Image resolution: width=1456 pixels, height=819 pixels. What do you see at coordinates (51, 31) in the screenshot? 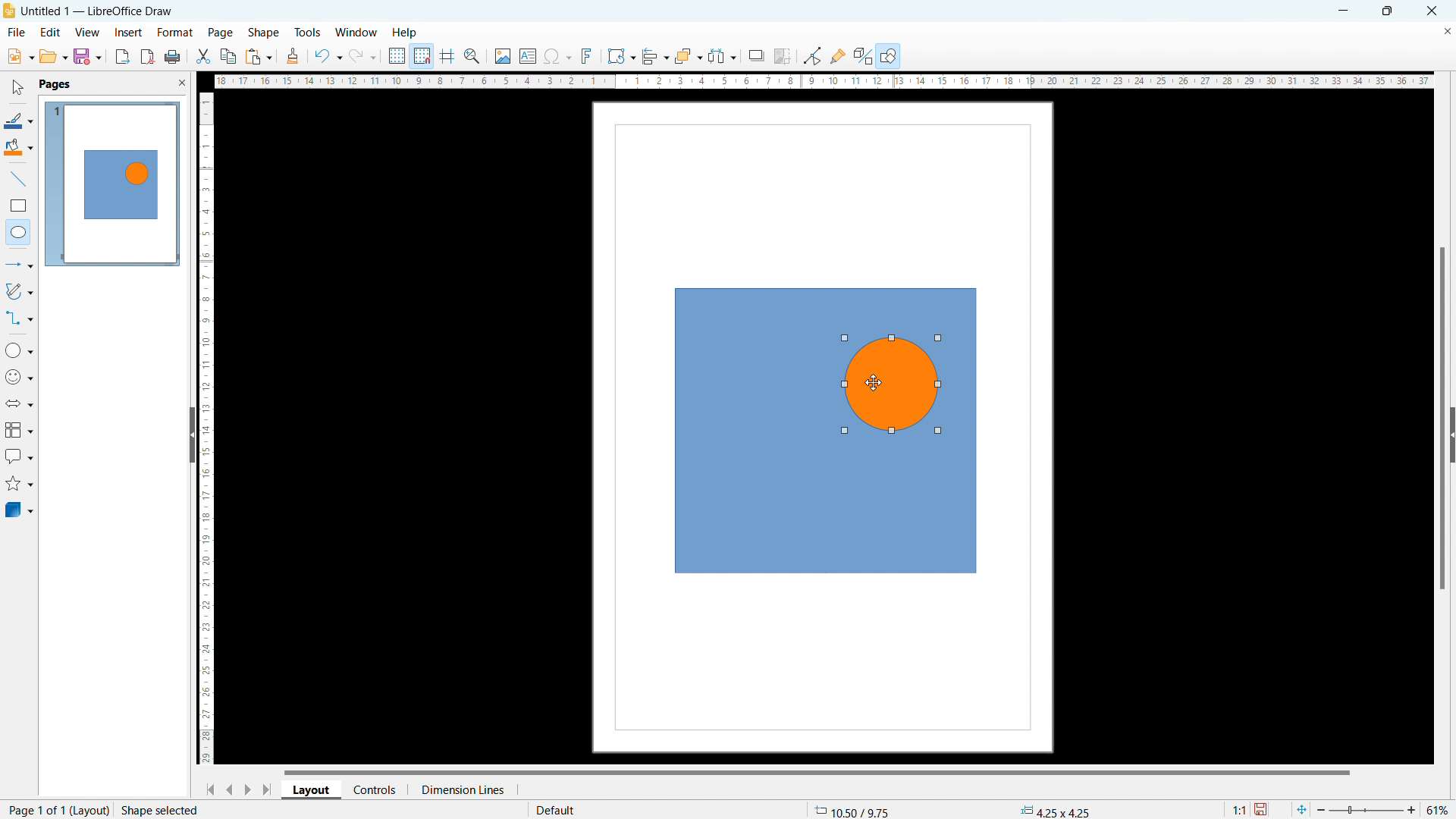
I see `edit` at bounding box center [51, 31].